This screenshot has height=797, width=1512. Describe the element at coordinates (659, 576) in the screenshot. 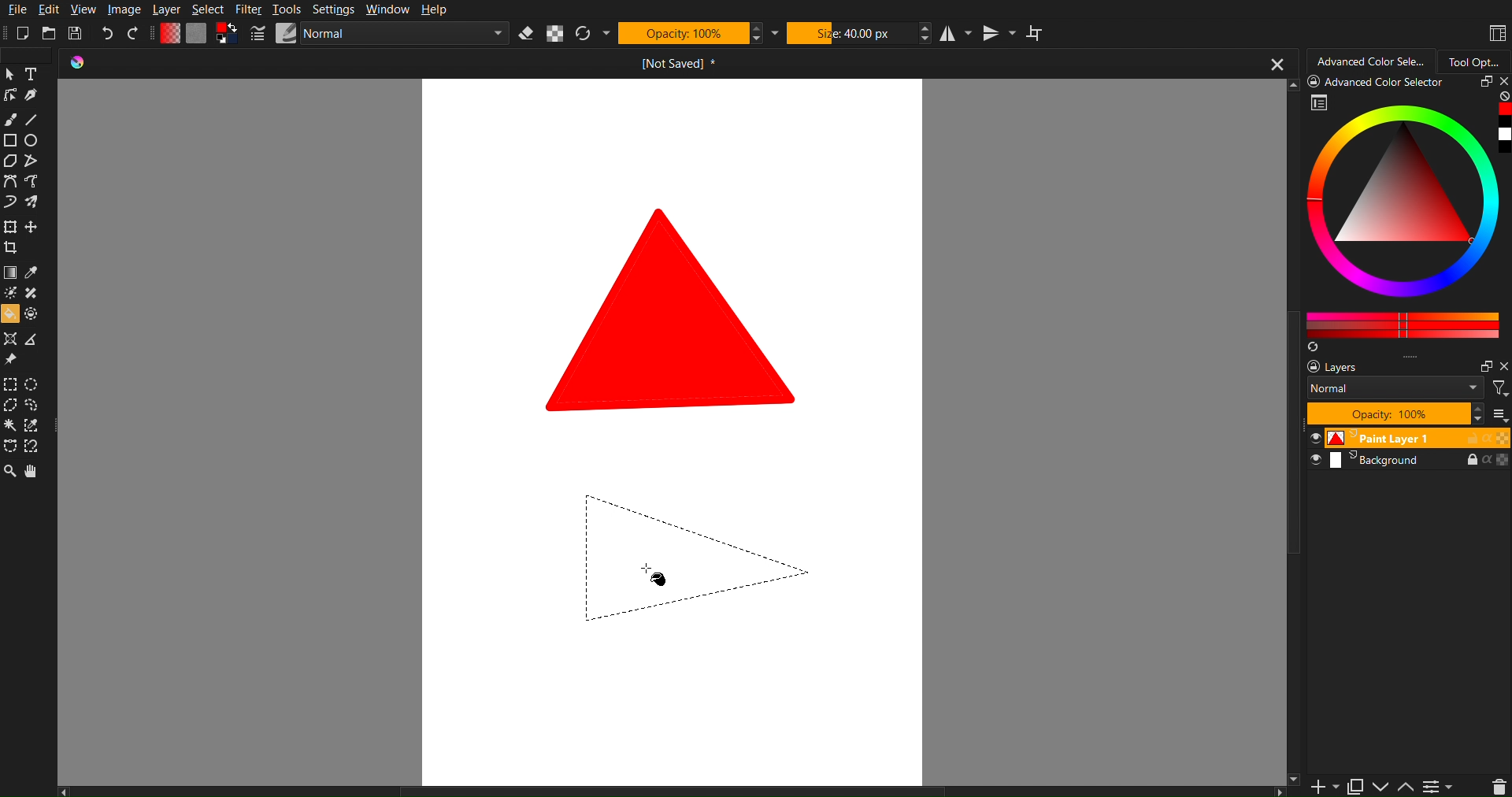

I see `Cursor` at that location.